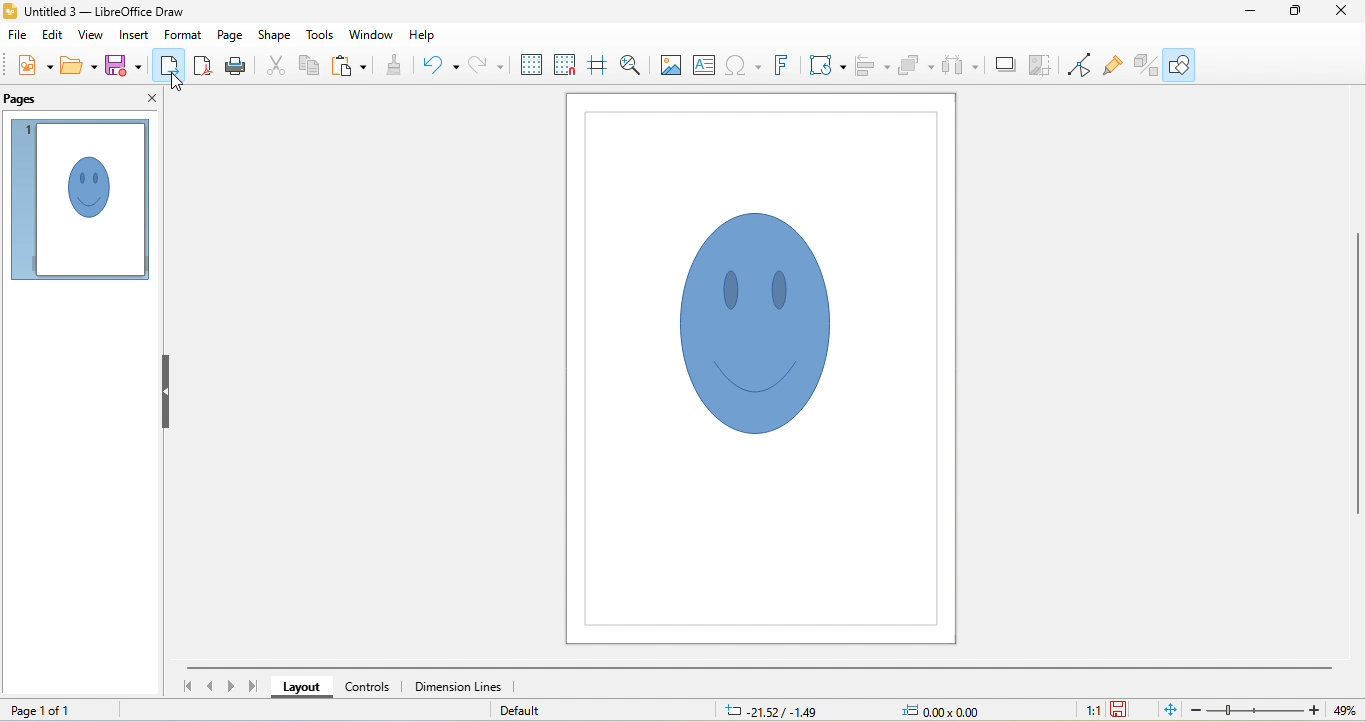  Describe the element at coordinates (254, 685) in the screenshot. I see `last ` at that location.